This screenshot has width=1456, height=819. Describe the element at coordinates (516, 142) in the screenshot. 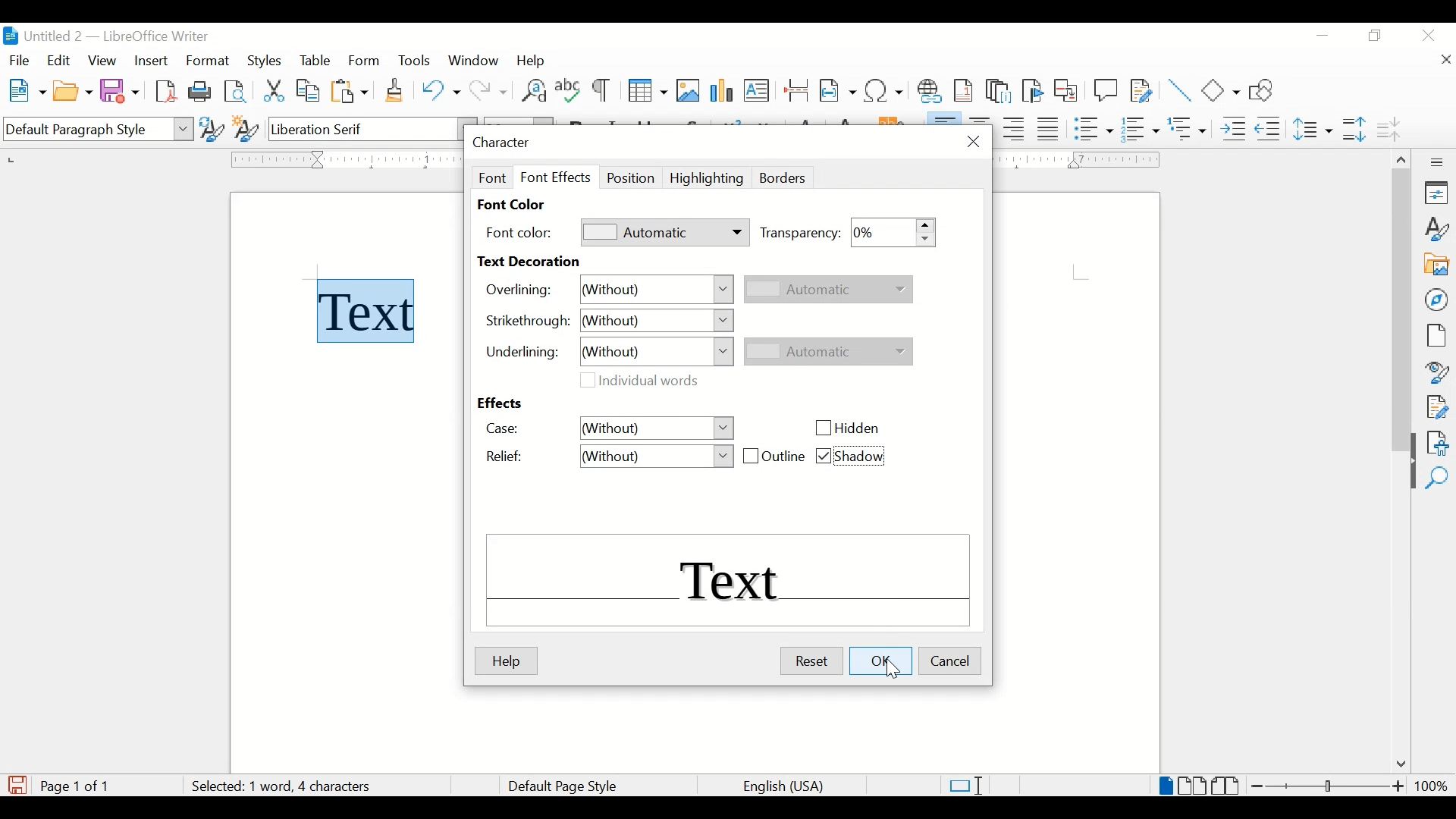

I see `character` at that location.